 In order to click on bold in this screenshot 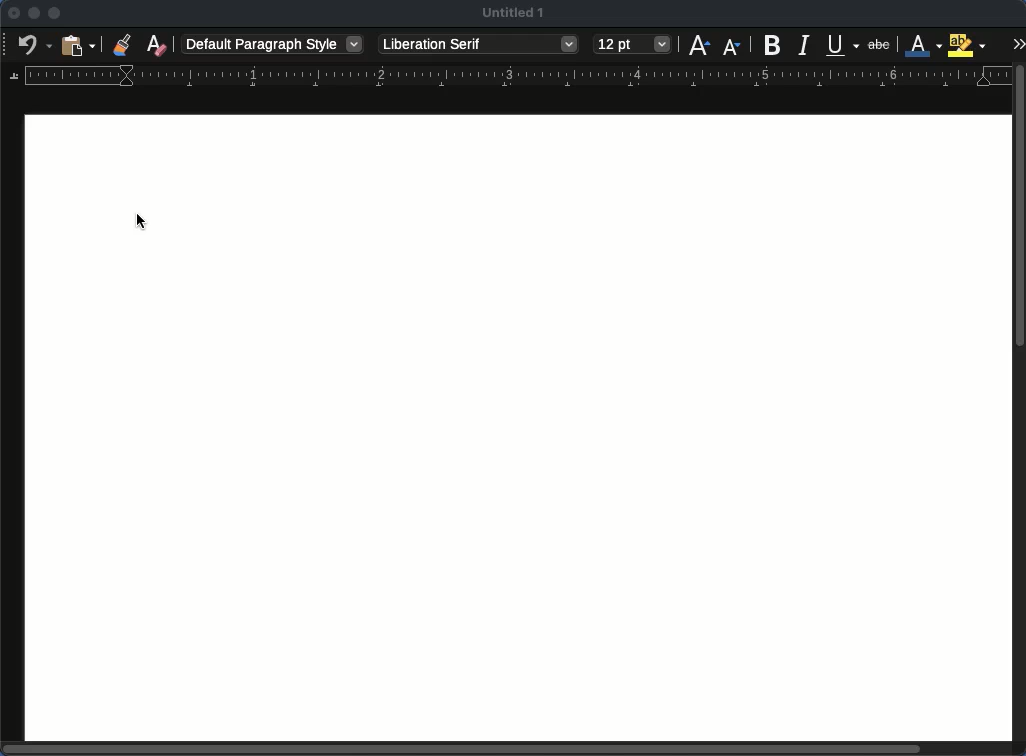, I will do `click(772, 44)`.